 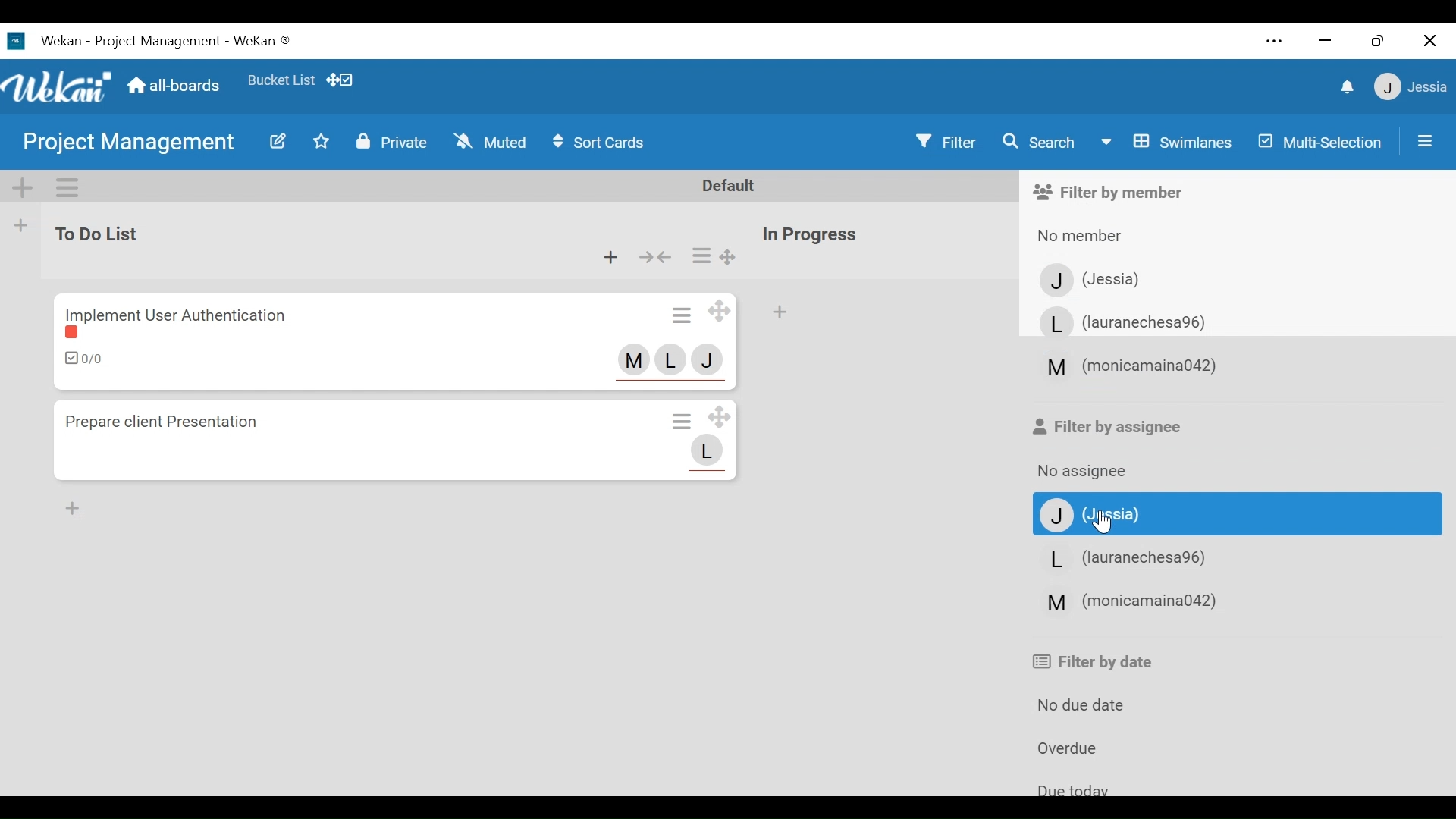 I want to click on Add Card Bottom of the list, so click(x=69, y=510).